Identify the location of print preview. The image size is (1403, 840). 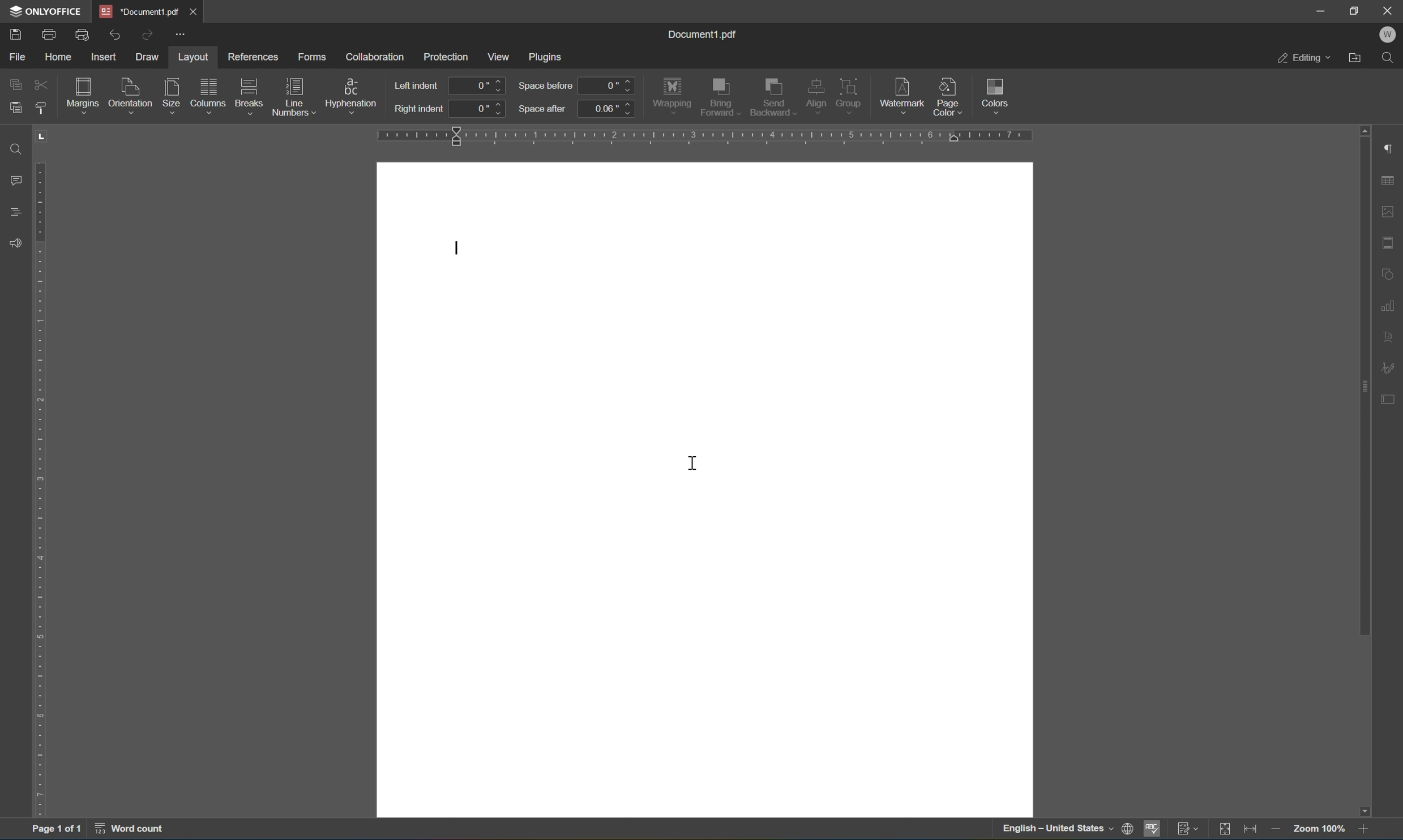
(83, 33).